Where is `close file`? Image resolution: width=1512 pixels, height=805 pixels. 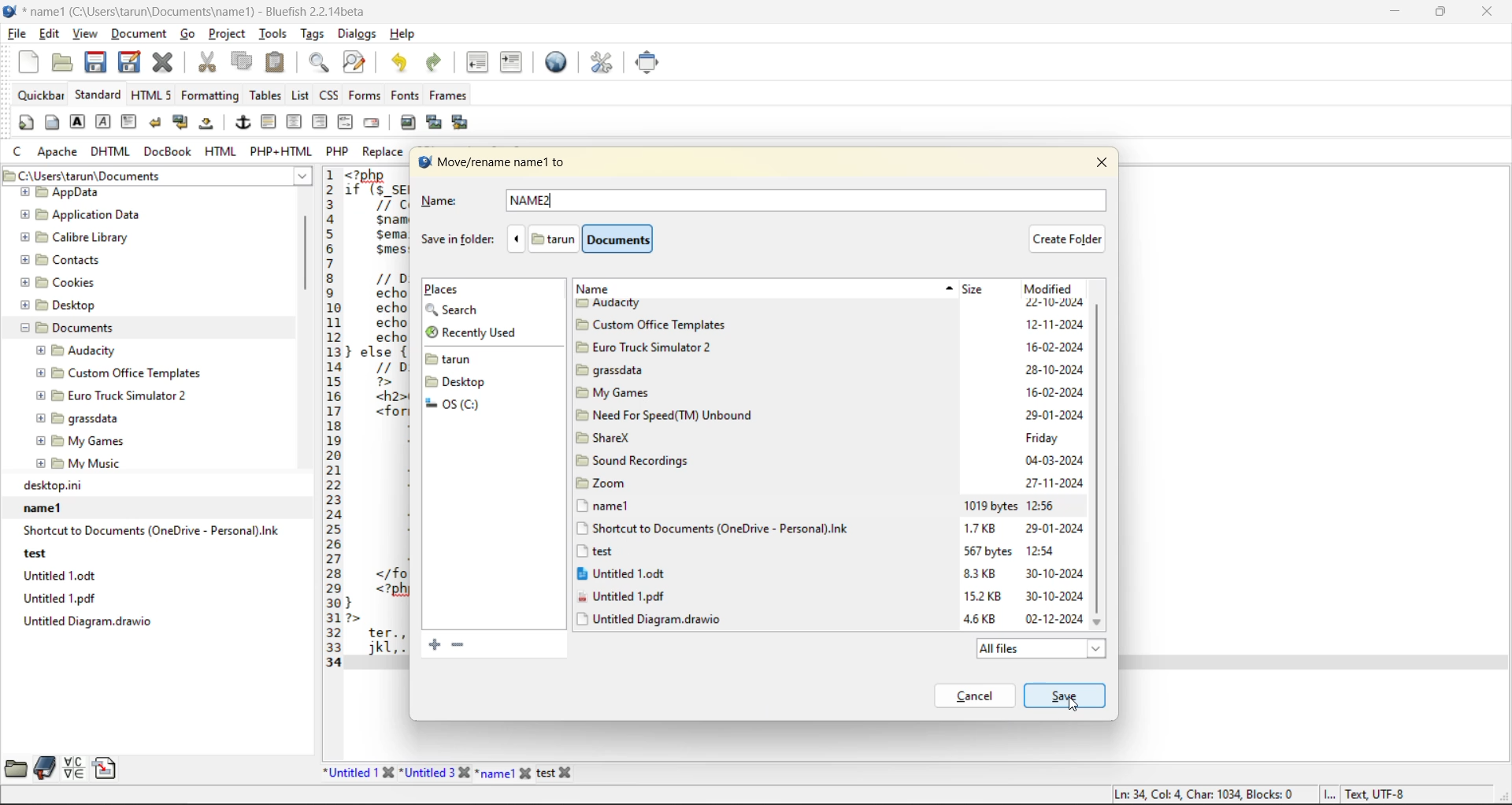
close file is located at coordinates (163, 62).